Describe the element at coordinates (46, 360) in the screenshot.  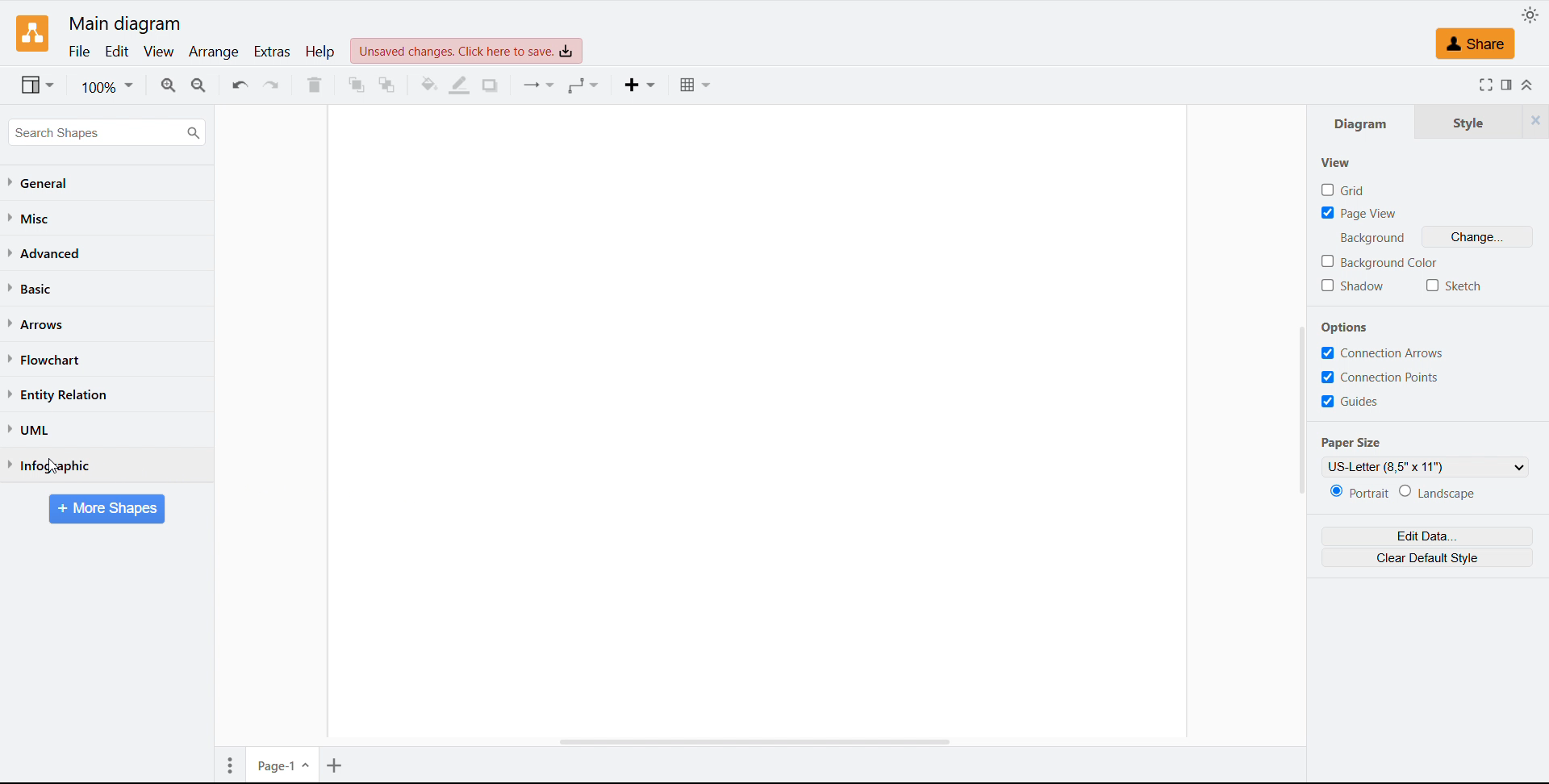
I see `Flow chart` at that location.